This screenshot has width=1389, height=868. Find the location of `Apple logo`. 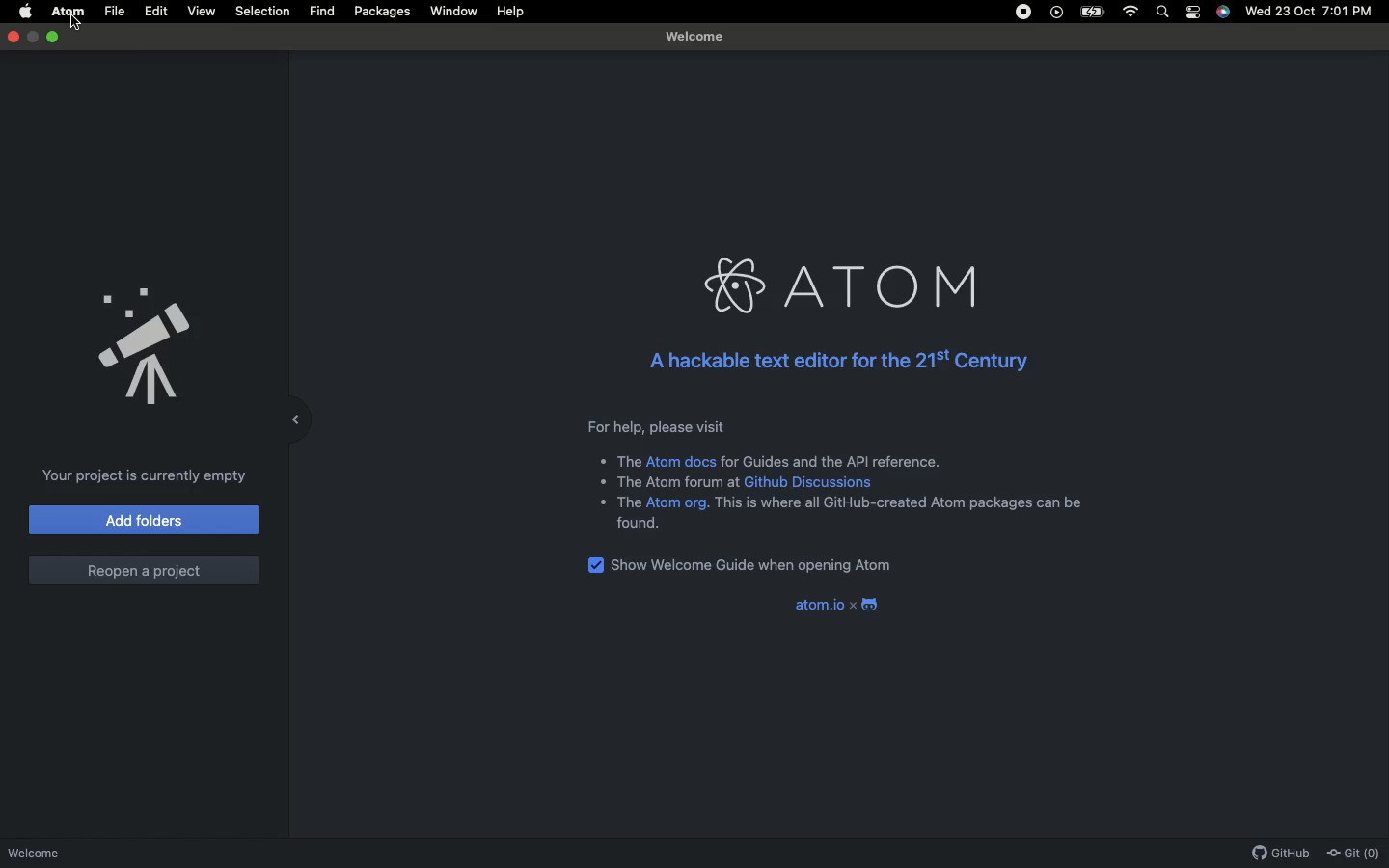

Apple logo is located at coordinates (20, 12).